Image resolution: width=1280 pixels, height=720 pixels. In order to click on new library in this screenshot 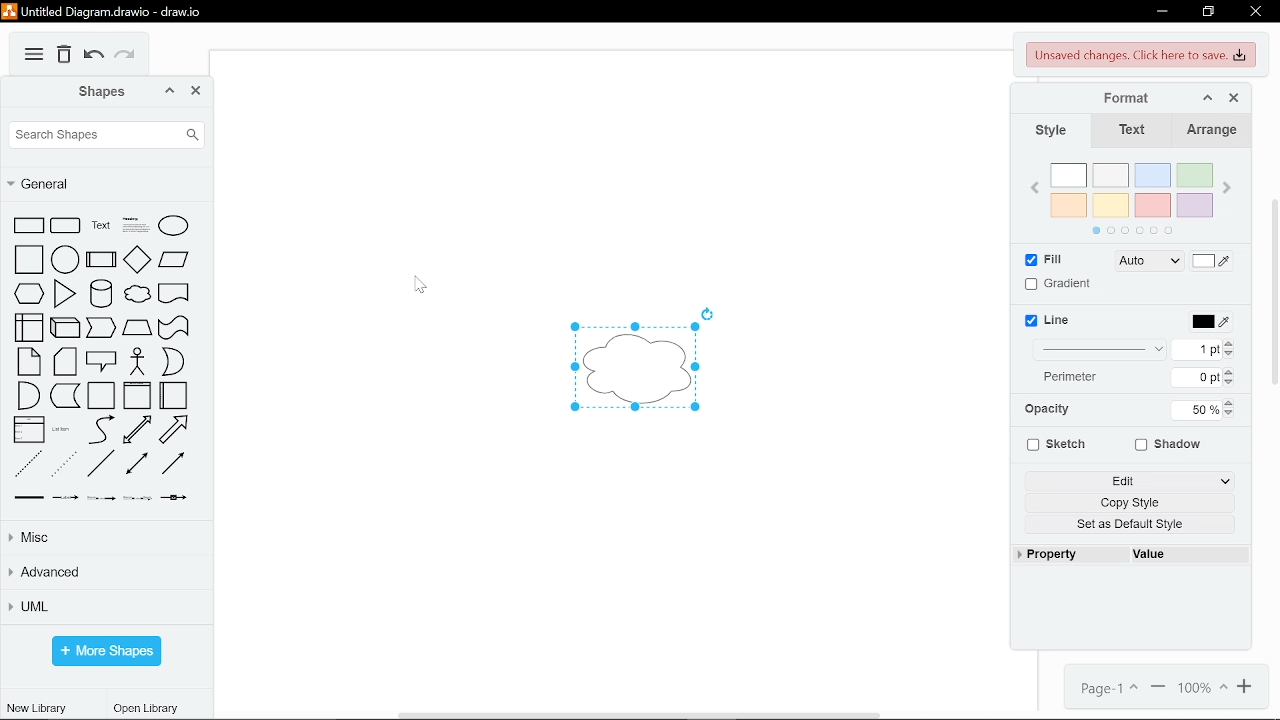, I will do `click(37, 708)`.